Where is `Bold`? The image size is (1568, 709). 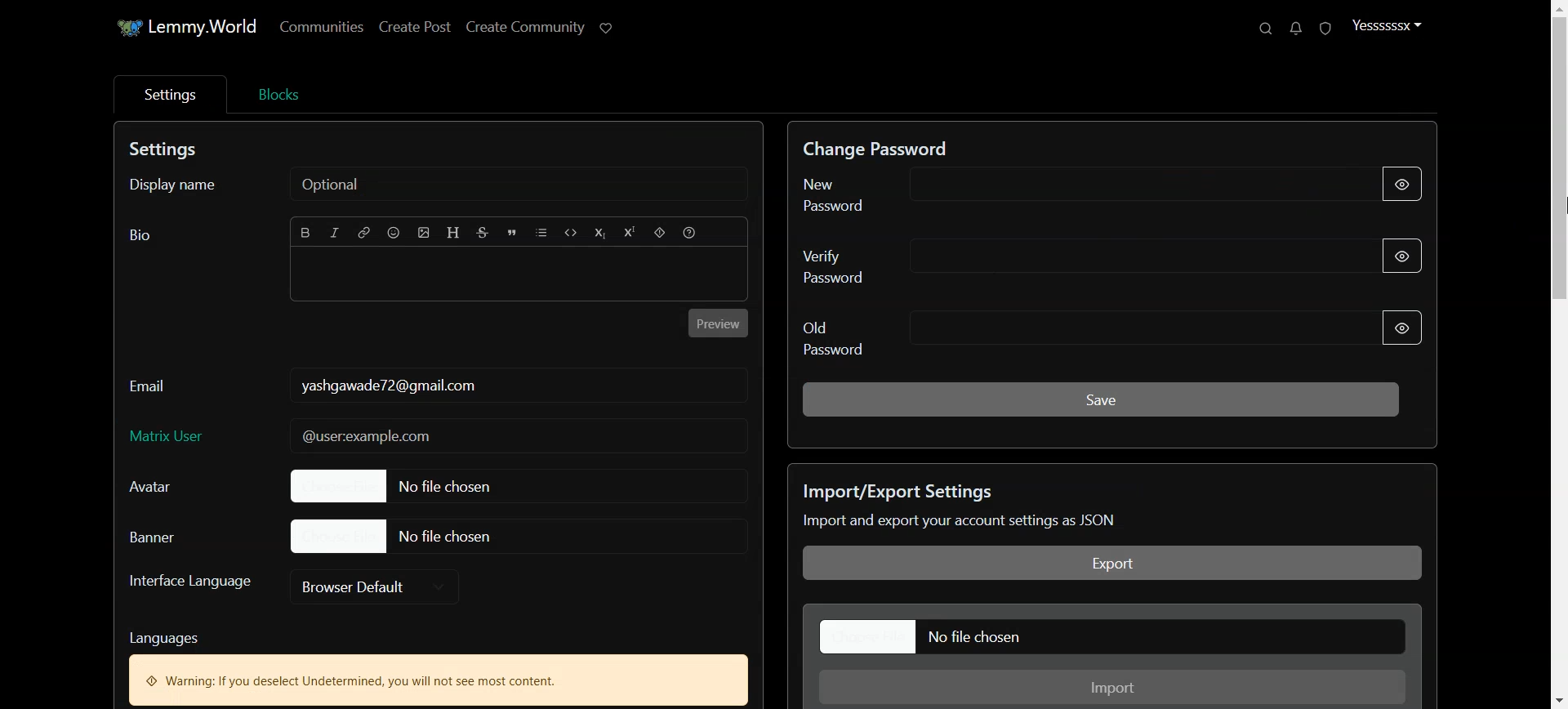
Bold is located at coordinates (305, 233).